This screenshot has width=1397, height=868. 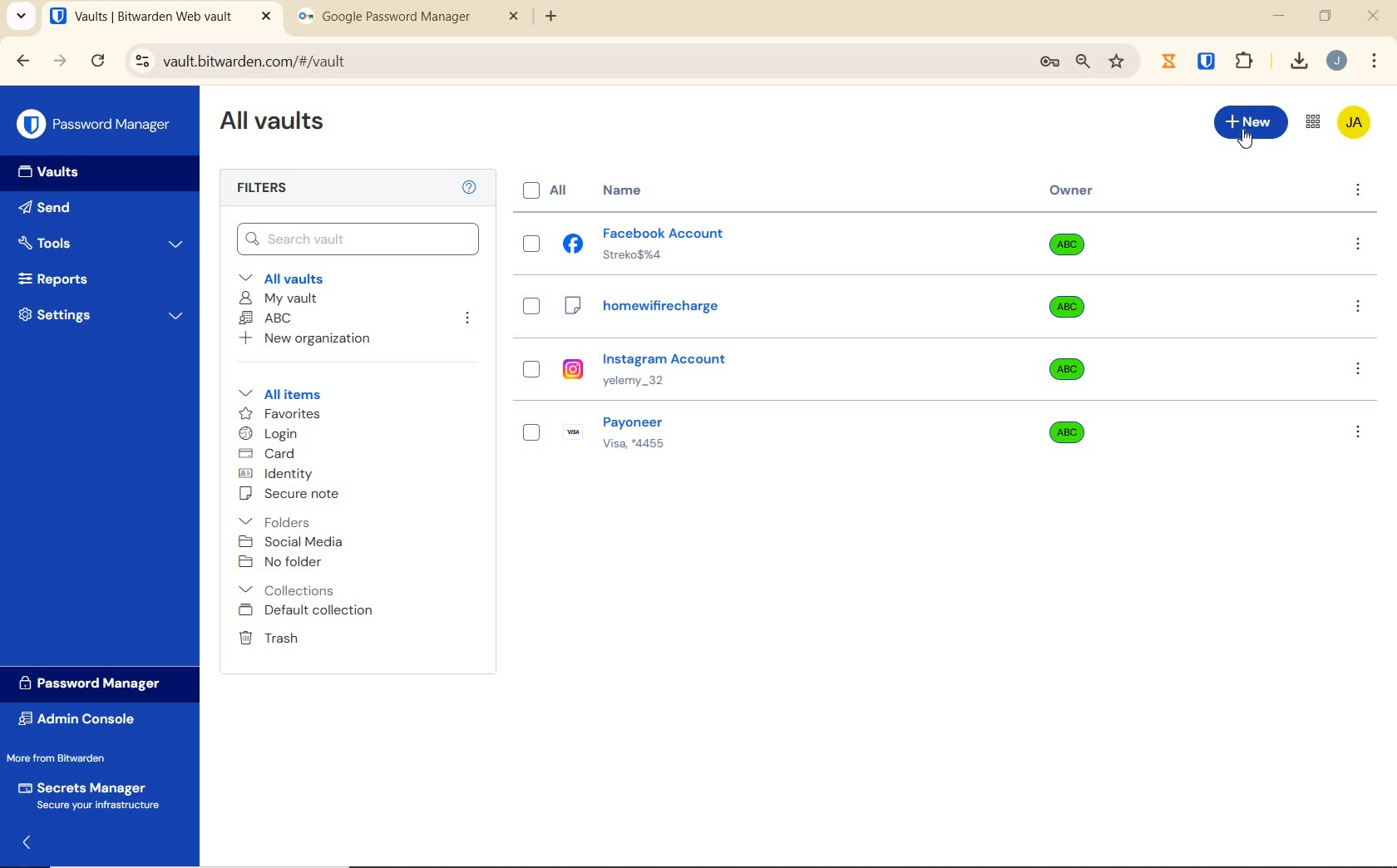 I want to click on check box, so click(x=528, y=246).